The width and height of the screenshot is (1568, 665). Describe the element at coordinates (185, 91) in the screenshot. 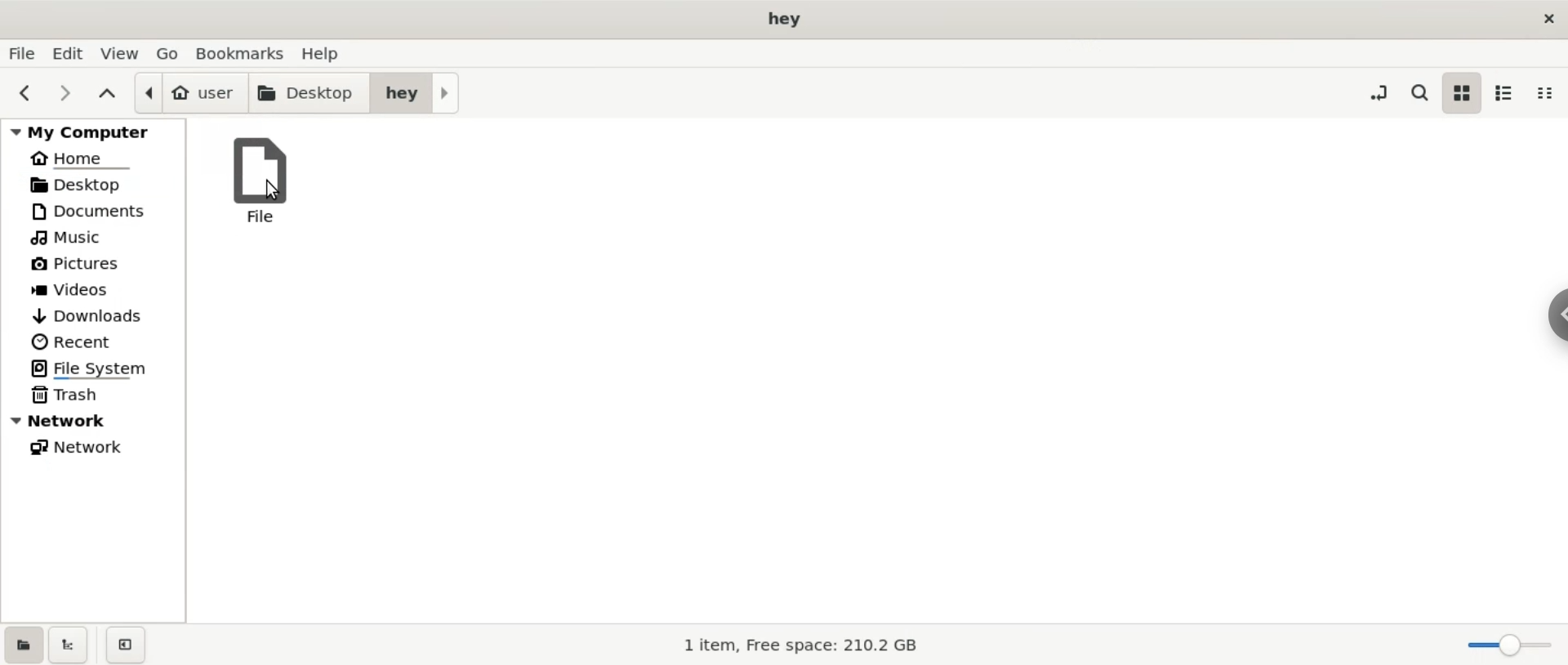

I see `user` at that location.